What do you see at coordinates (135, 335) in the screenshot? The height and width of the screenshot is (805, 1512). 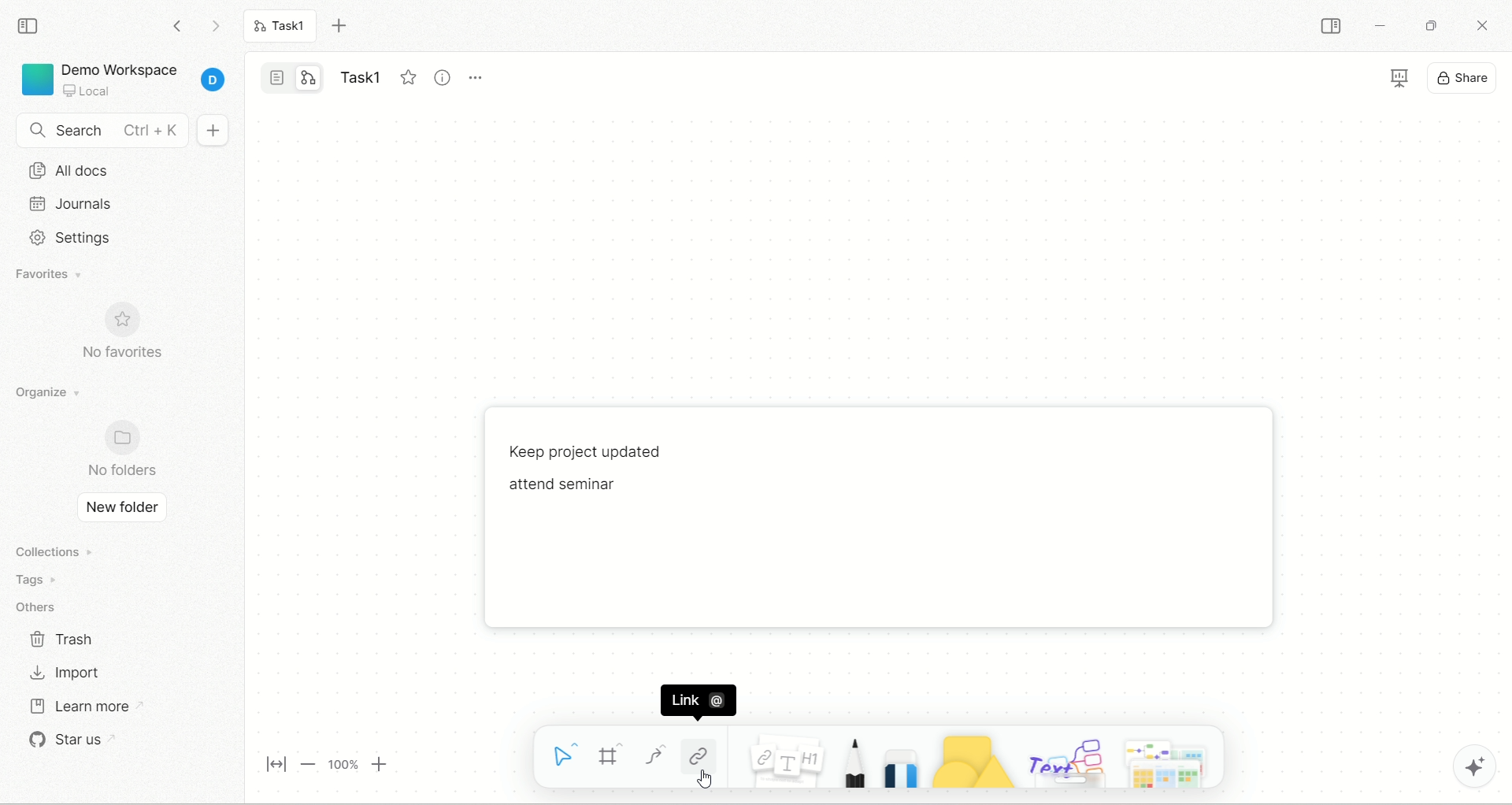 I see `no favorites` at bounding box center [135, 335].